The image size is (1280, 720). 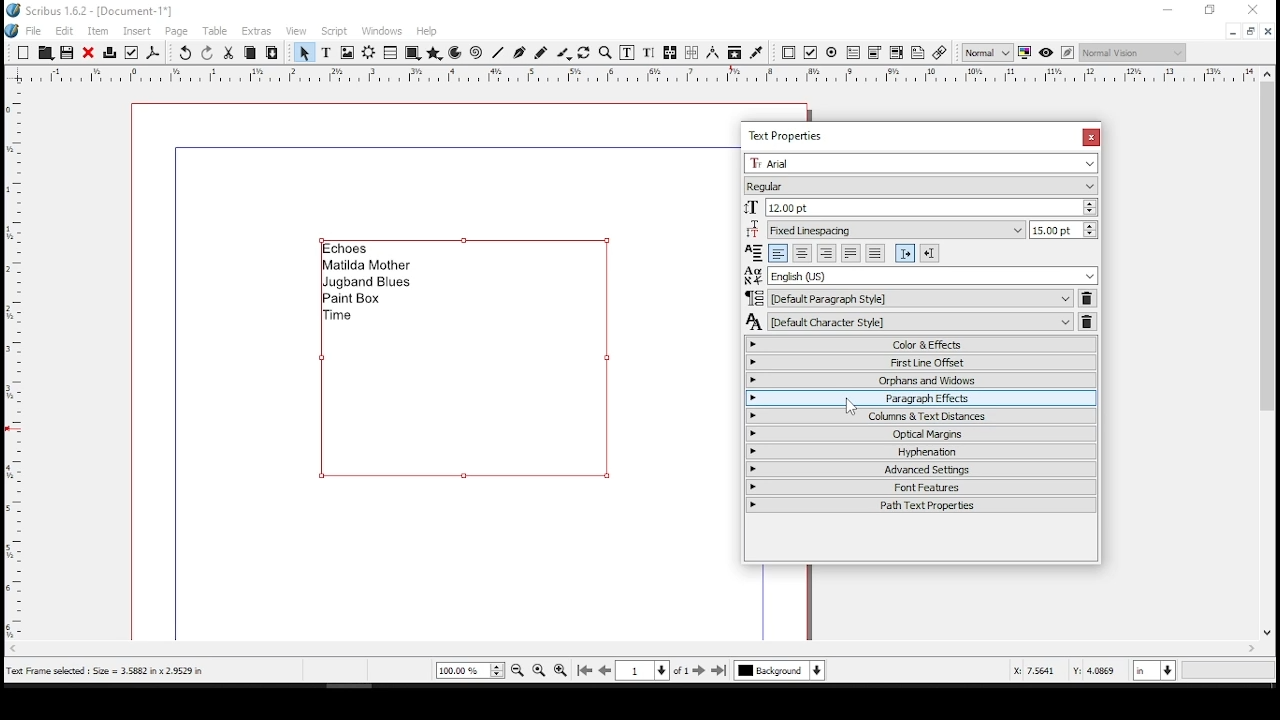 I want to click on new, so click(x=23, y=52).